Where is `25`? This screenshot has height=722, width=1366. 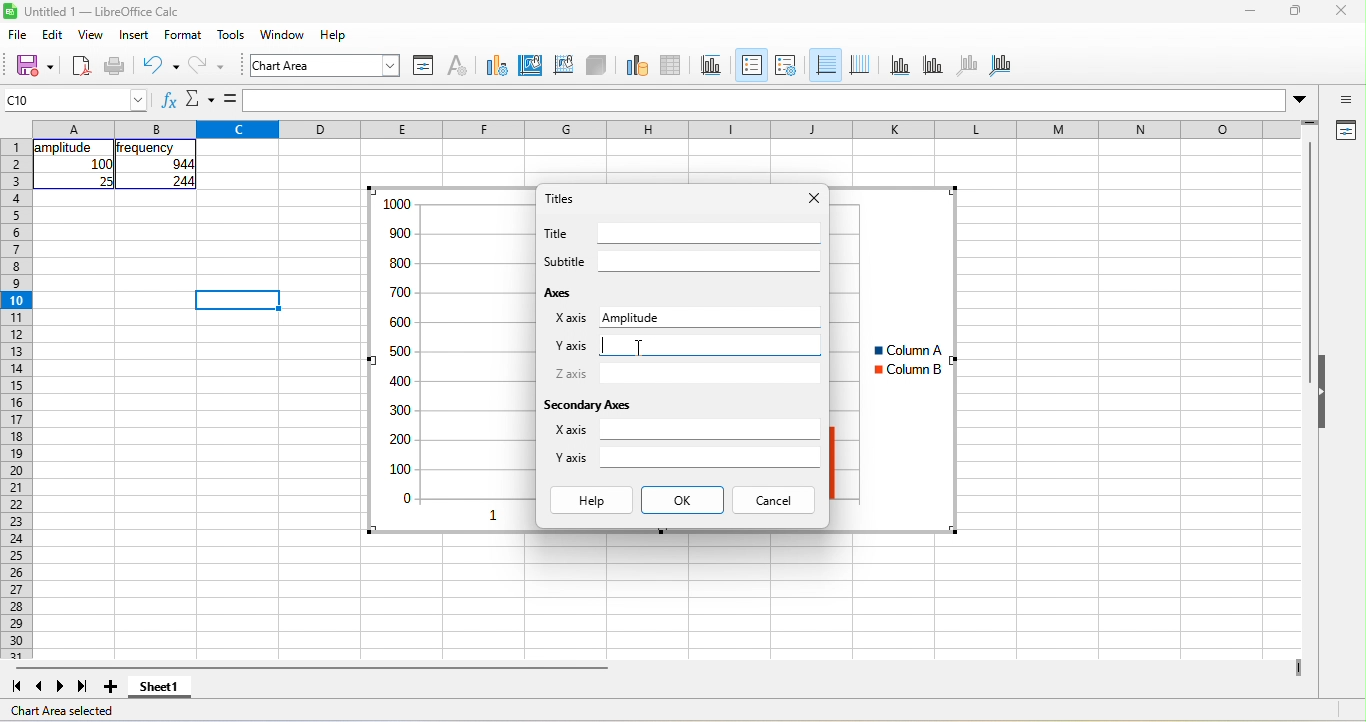
25 is located at coordinates (105, 181).